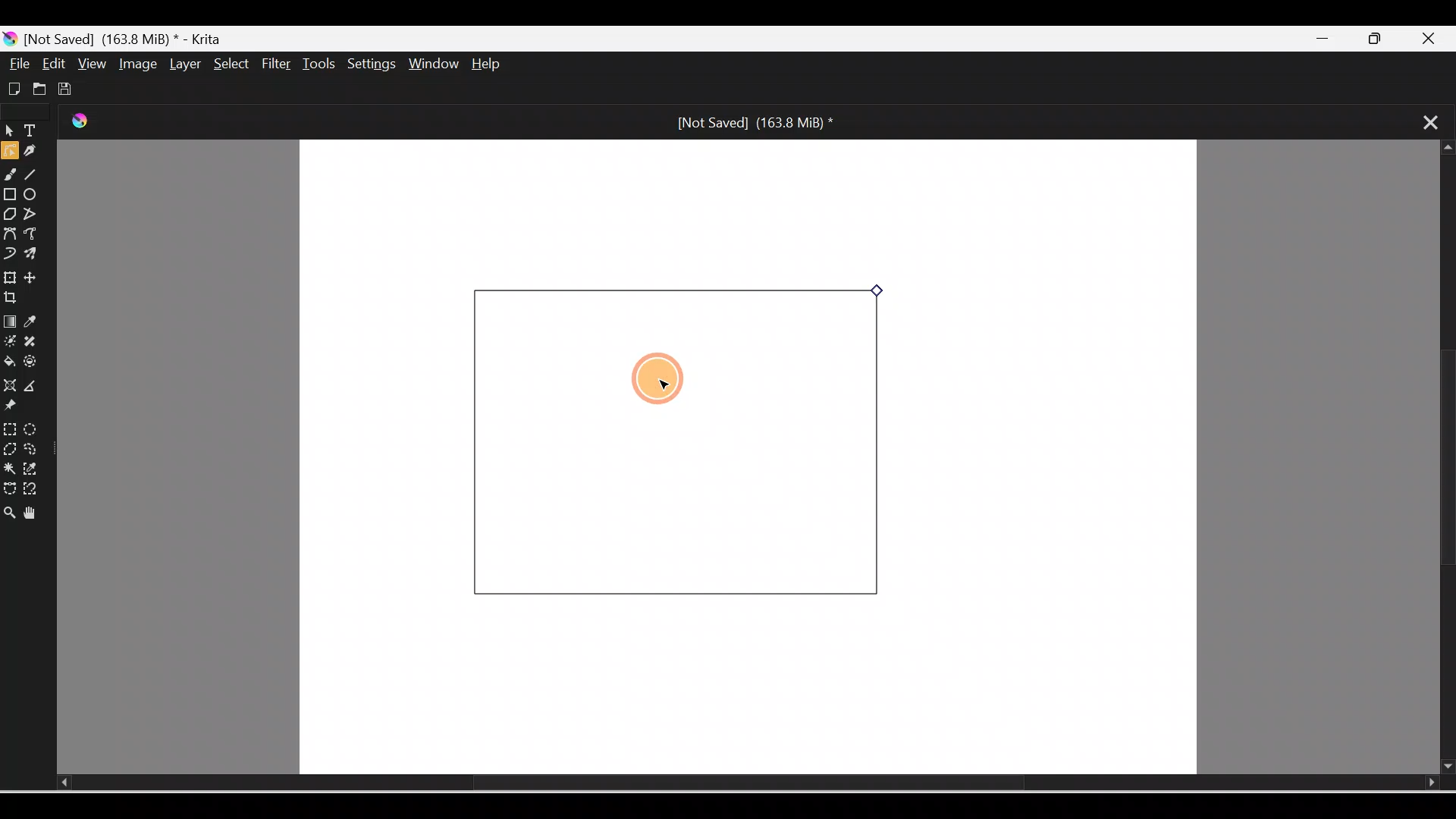  Describe the element at coordinates (9, 322) in the screenshot. I see `Draw a gradient` at that location.